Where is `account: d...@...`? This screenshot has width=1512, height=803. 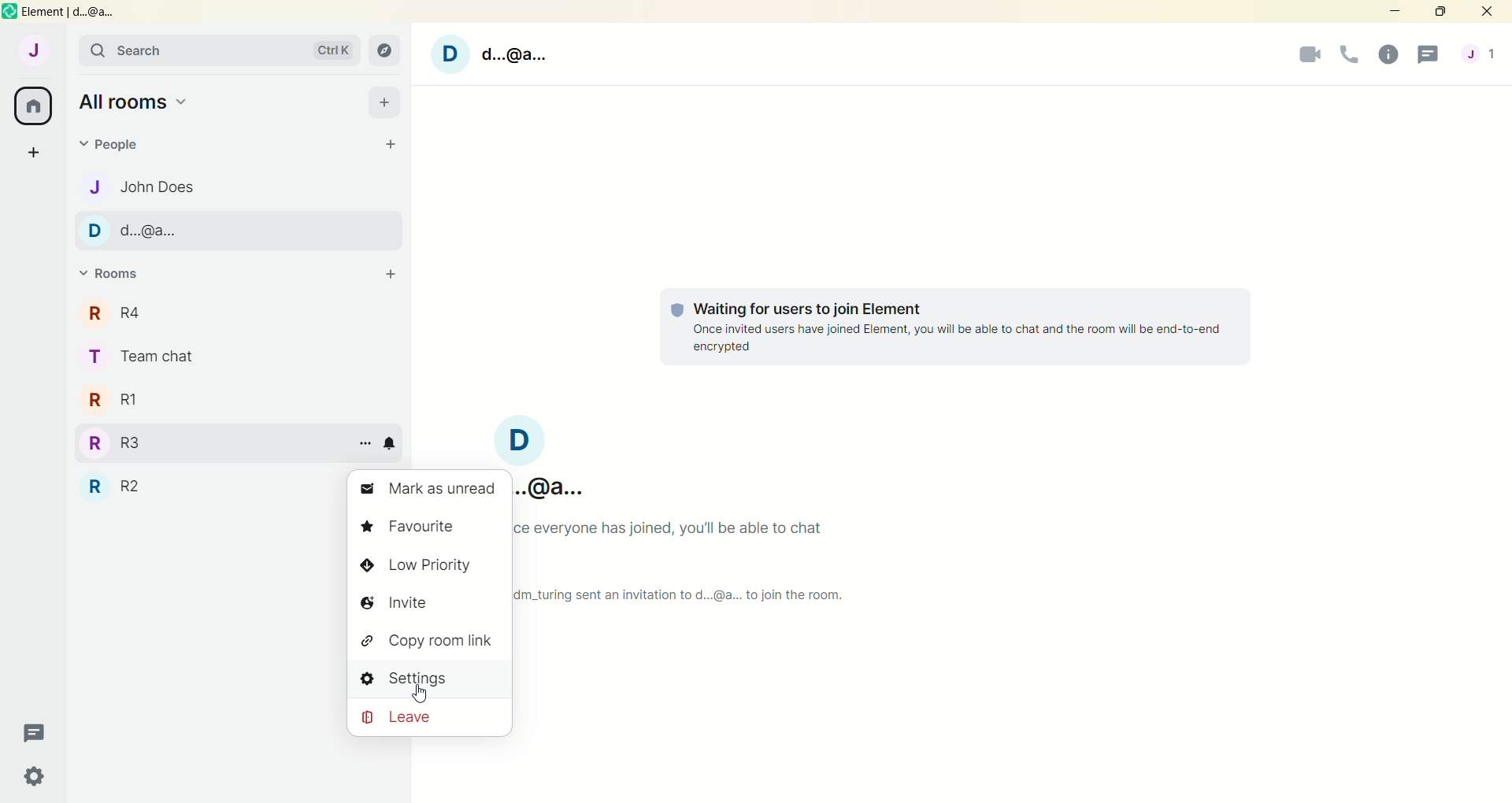
account: d...@... is located at coordinates (485, 52).